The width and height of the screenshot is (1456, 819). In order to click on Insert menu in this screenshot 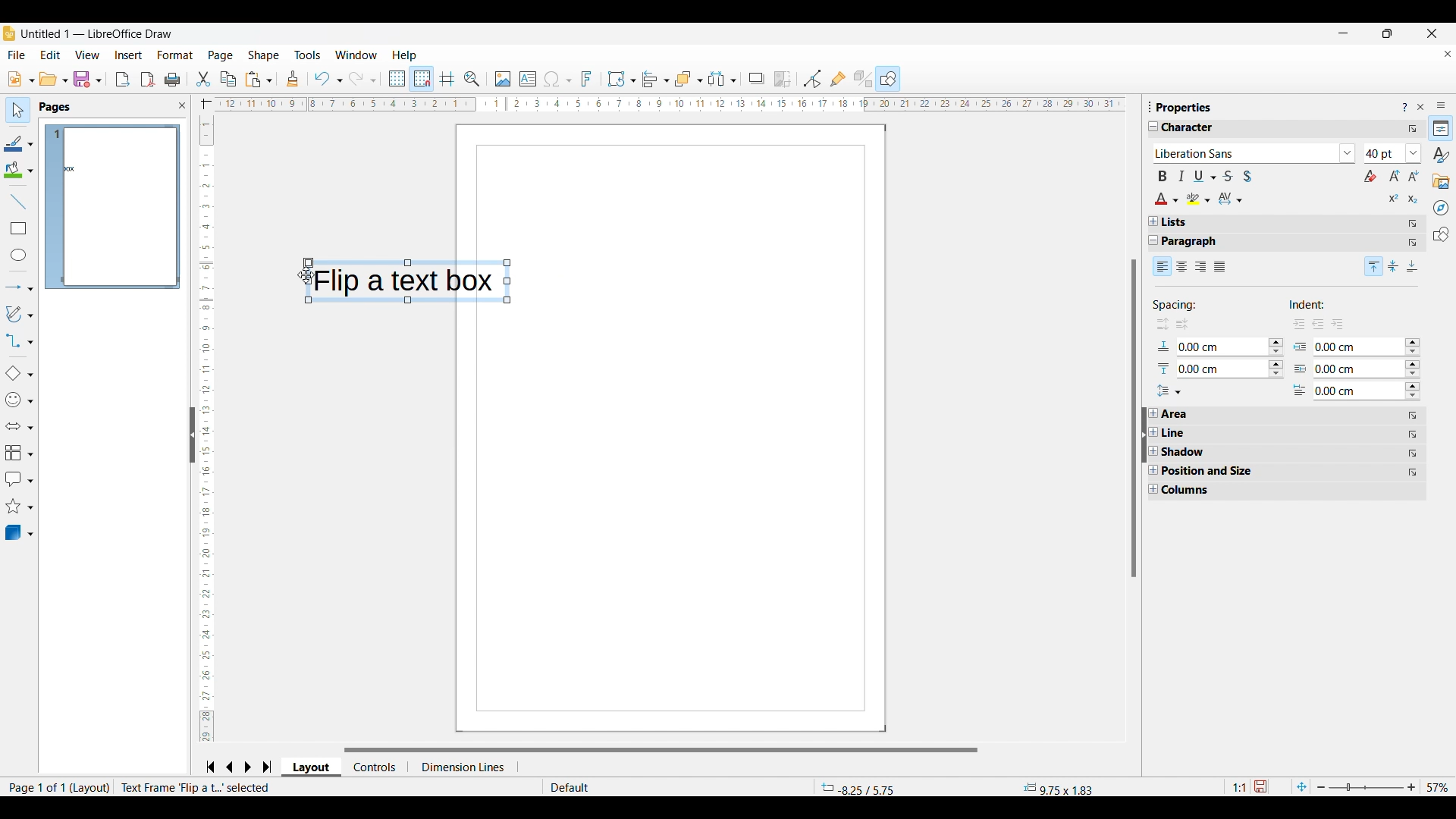, I will do `click(129, 55)`.